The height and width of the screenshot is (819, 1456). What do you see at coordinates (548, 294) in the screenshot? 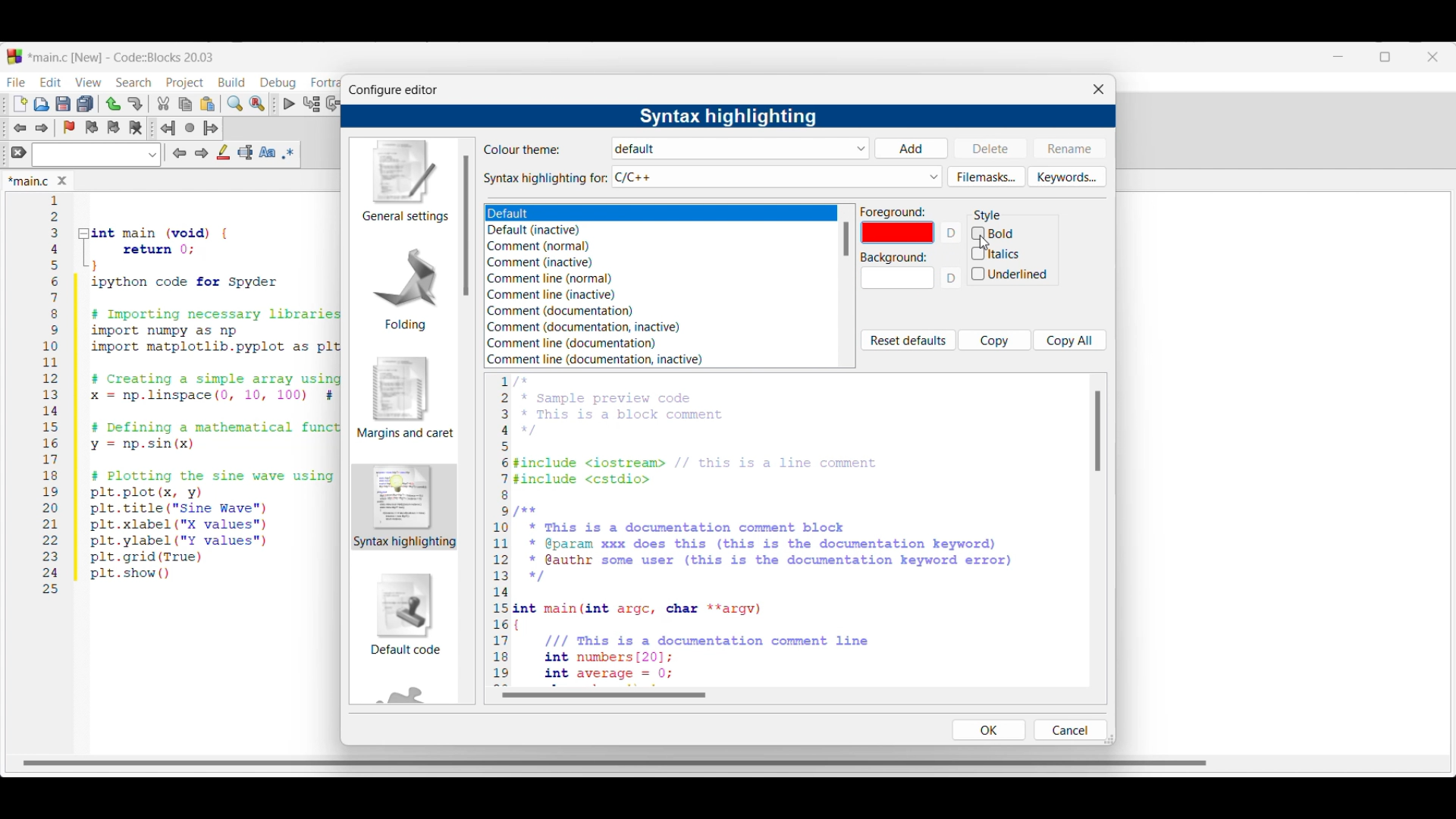
I see `Comment line (inactive` at bounding box center [548, 294].